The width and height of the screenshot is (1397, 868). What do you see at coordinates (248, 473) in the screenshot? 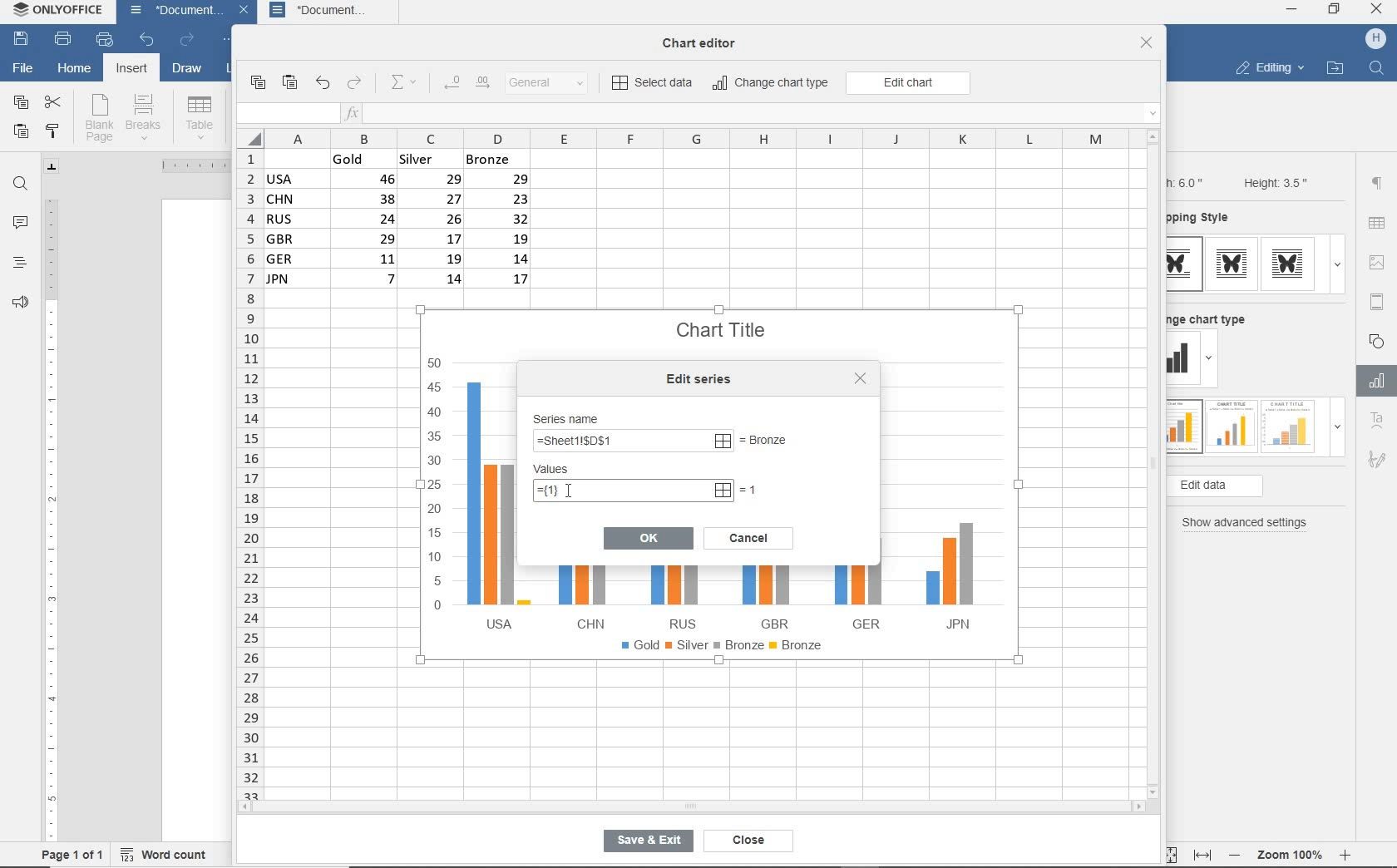
I see `rows` at bounding box center [248, 473].